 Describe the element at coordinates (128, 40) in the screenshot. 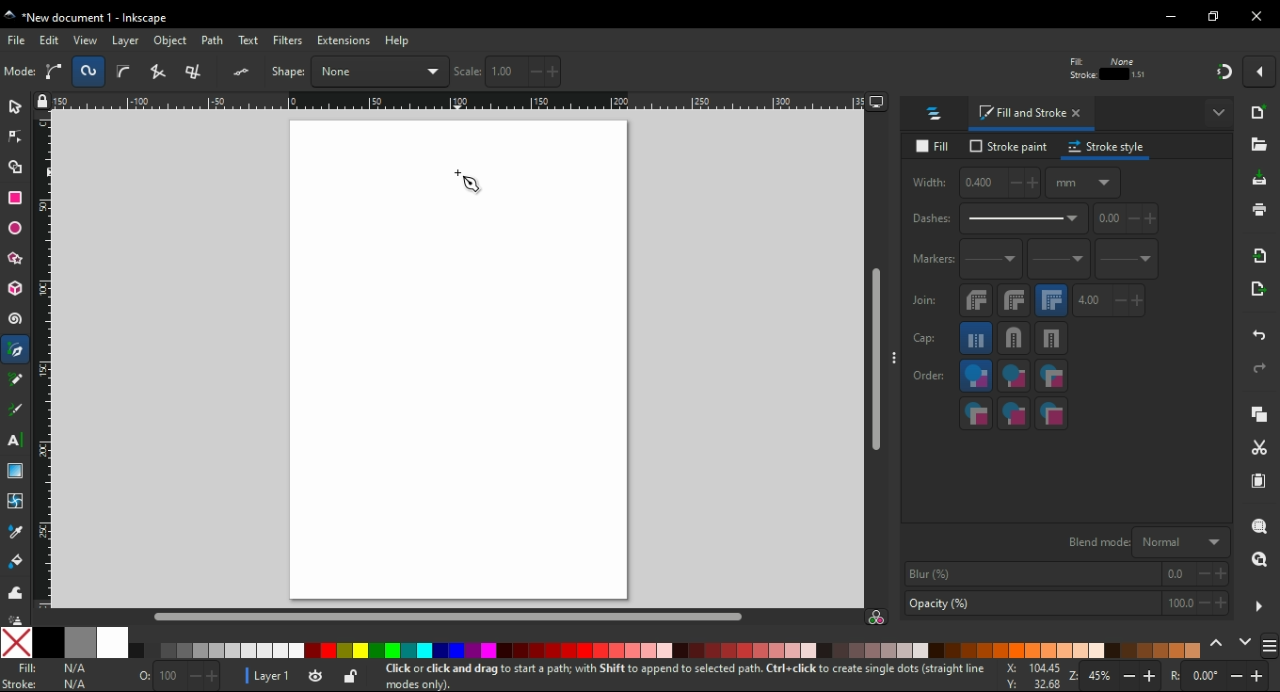

I see `layer` at that location.